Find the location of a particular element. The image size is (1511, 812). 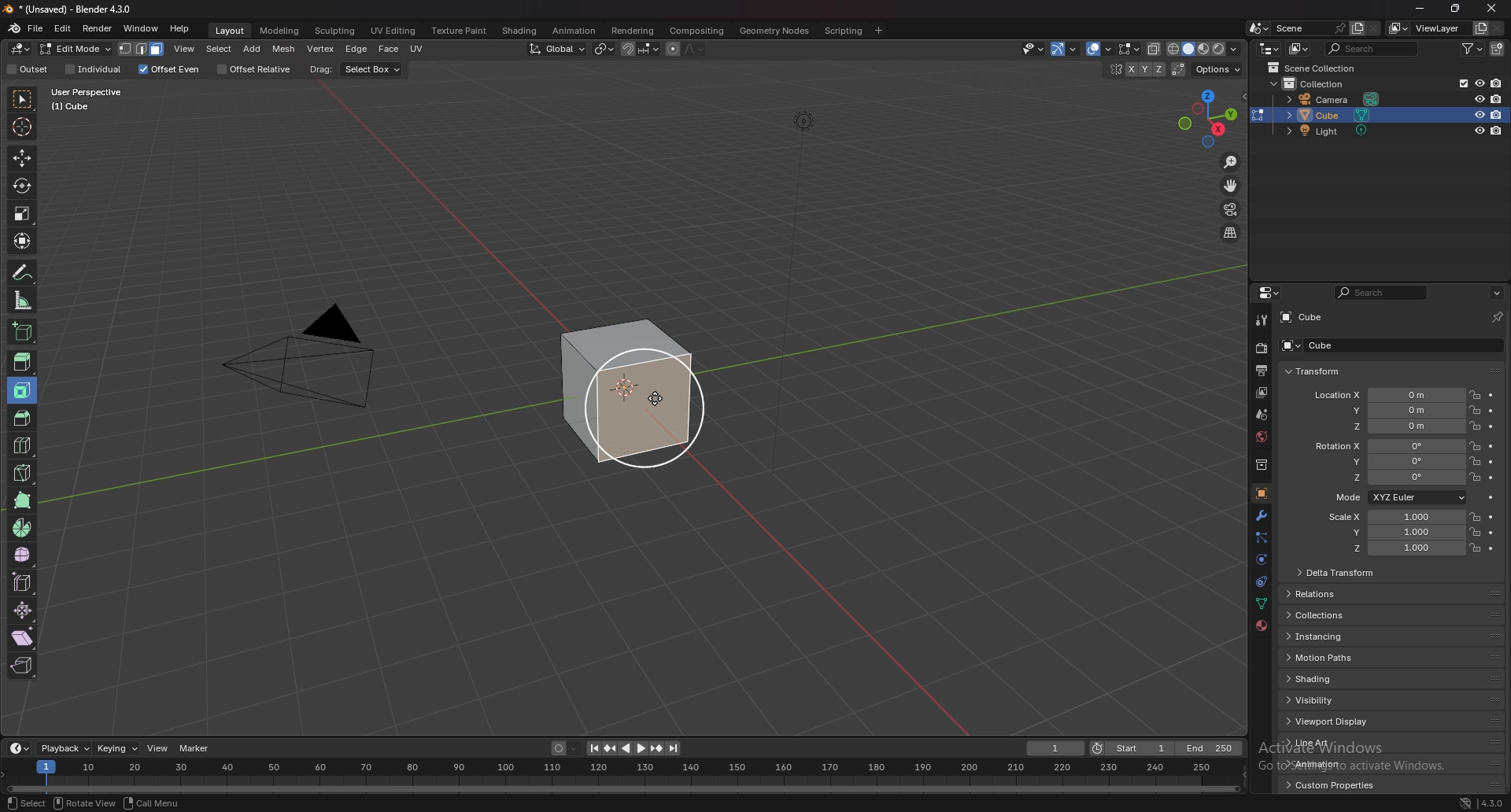

snapping is located at coordinates (640, 50).